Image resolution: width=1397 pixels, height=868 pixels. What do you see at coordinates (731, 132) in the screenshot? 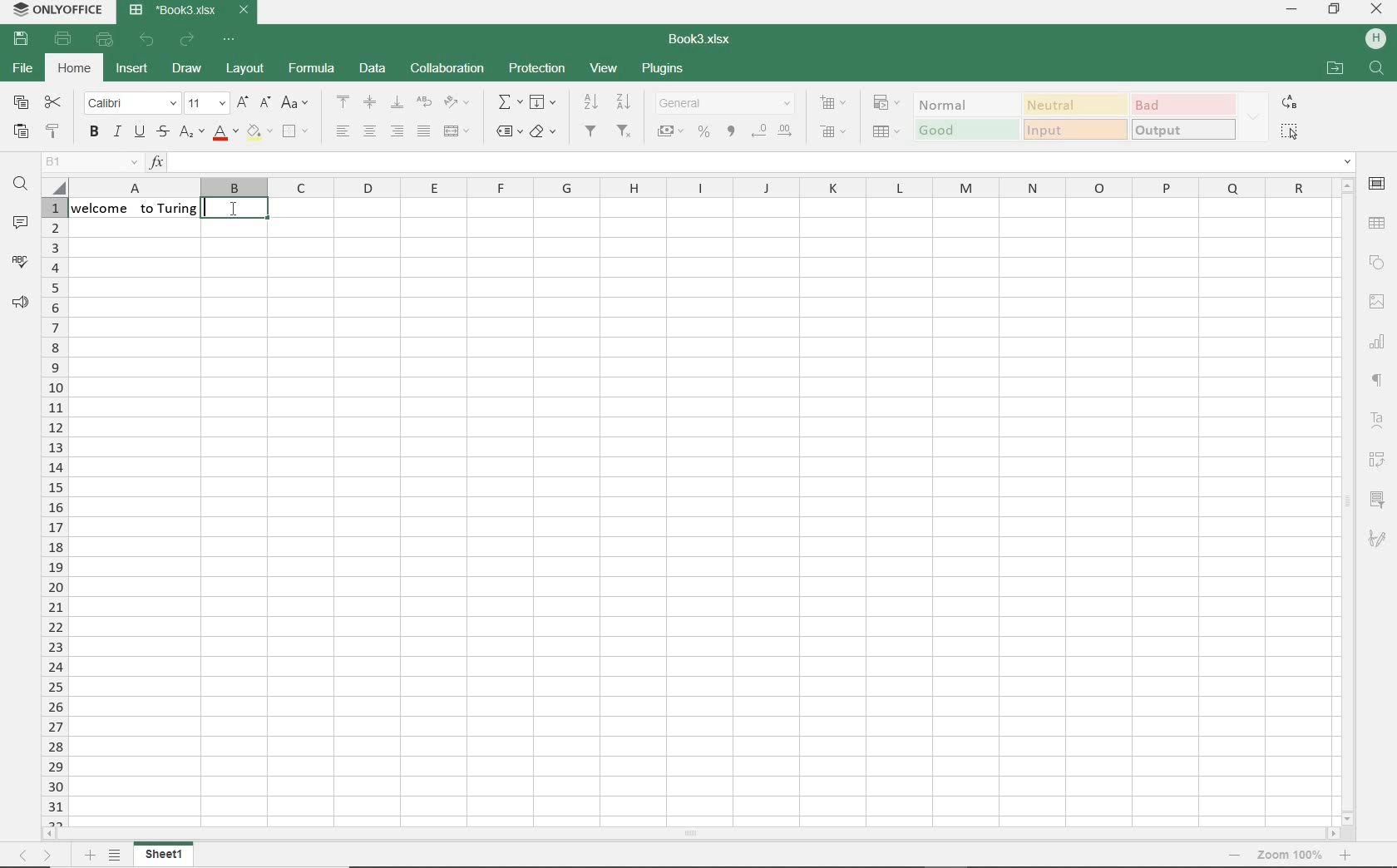
I see `comma style` at bounding box center [731, 132].